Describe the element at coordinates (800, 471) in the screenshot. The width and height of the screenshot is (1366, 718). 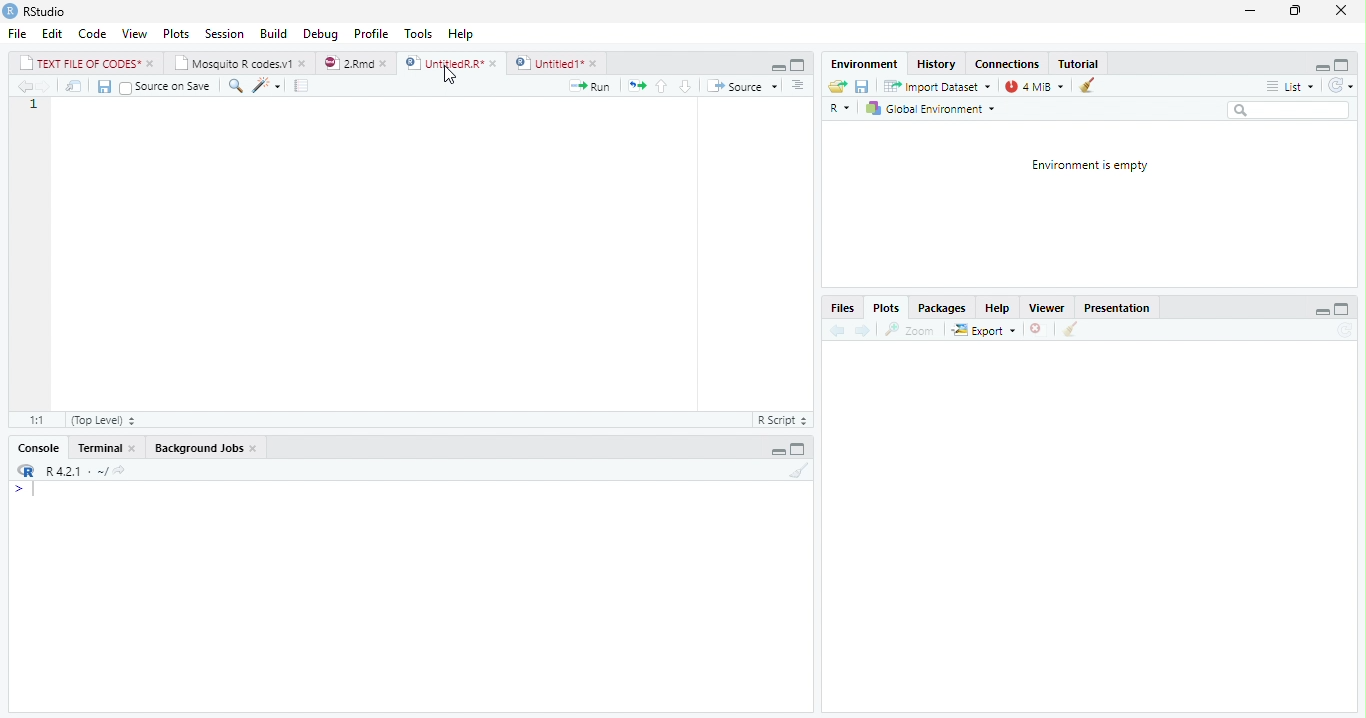
I see `clear console` at that location.